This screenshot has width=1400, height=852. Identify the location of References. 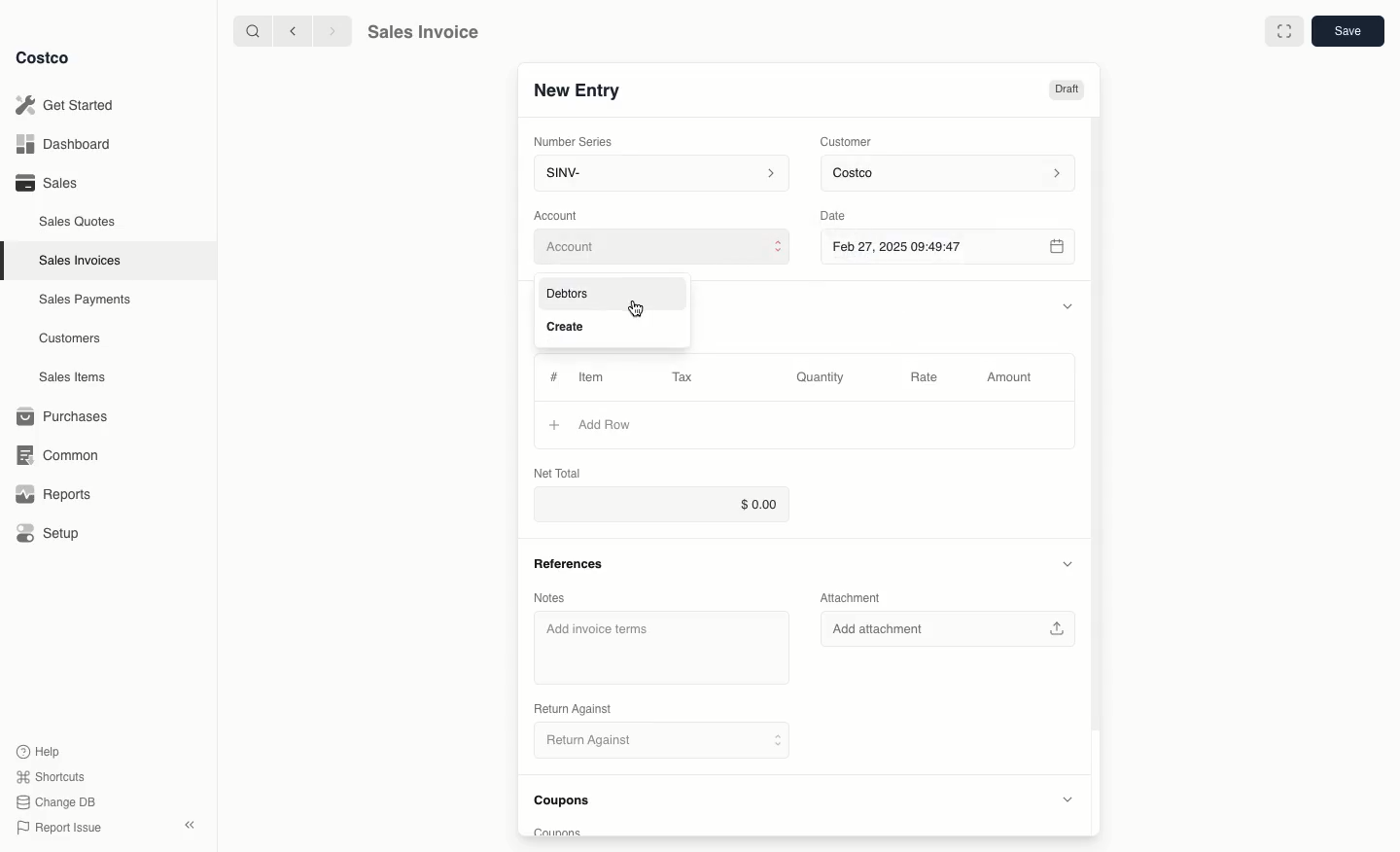
(567, 563).